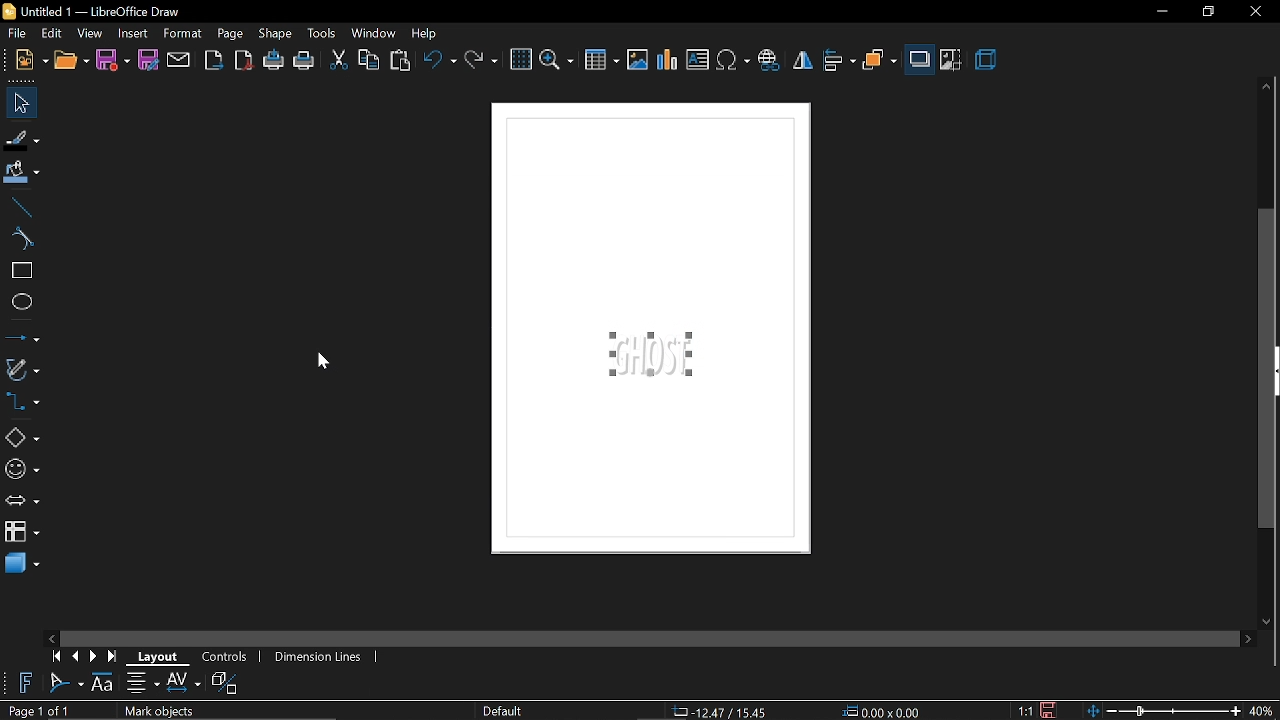 The image size is (1280, 720). I want to click on Cursor, so click(323, 362).